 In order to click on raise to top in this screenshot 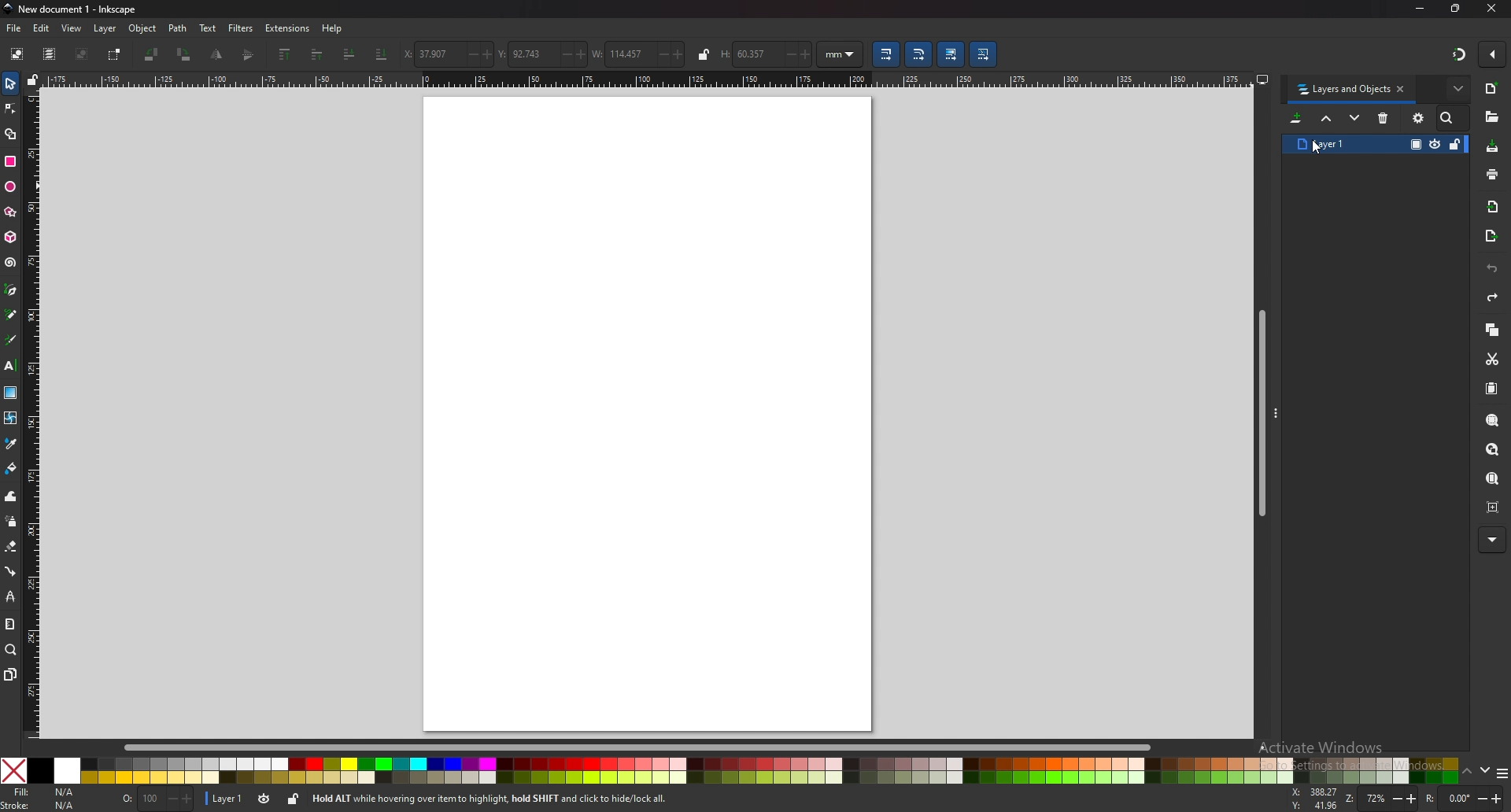, I will do `click(286, 54)`.